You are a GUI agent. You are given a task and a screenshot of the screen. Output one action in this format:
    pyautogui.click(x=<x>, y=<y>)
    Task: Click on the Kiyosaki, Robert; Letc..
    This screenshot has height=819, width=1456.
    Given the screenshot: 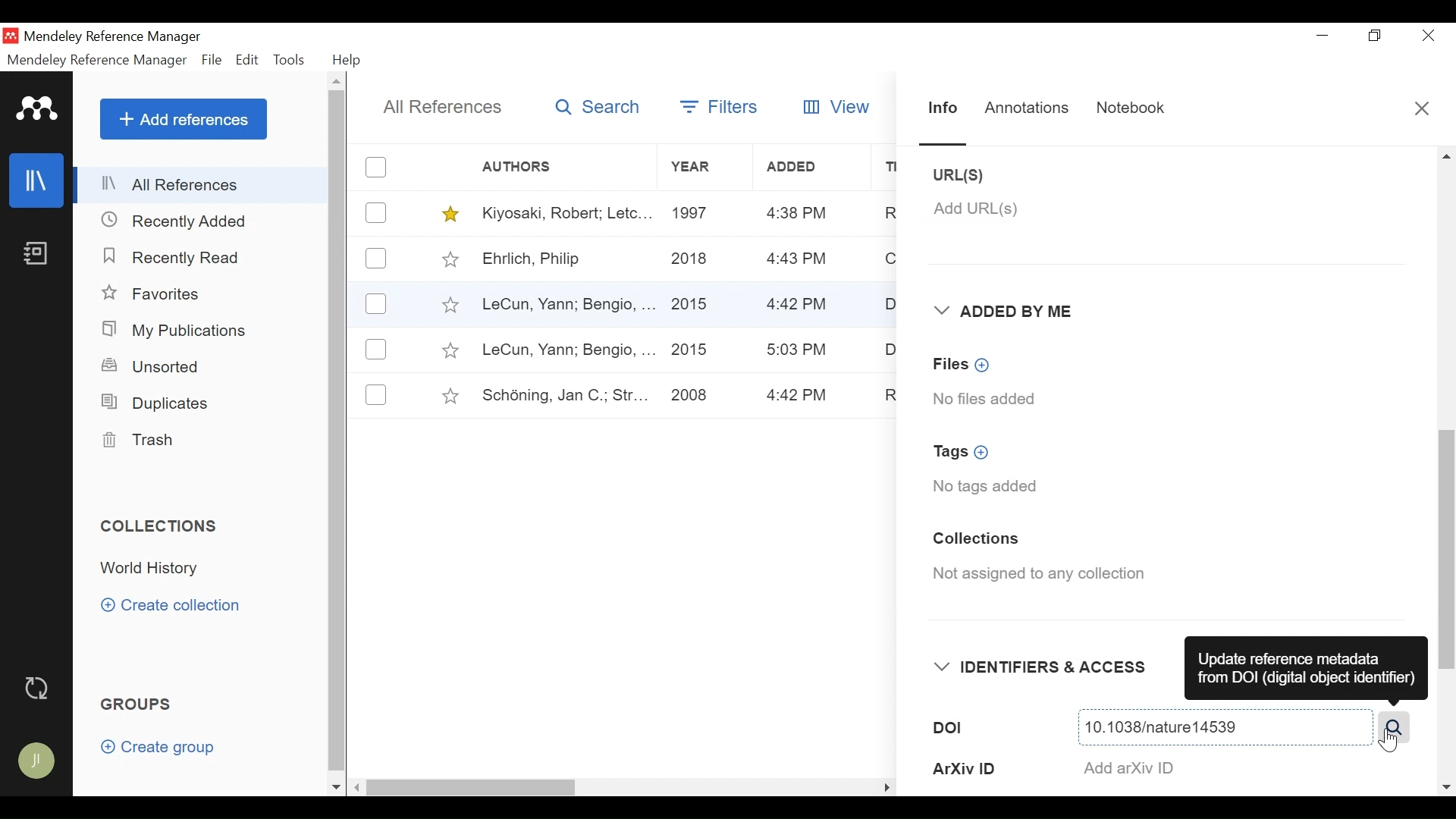 What is the action you would take?
    pyautogui.click(x=568, y=212)
    